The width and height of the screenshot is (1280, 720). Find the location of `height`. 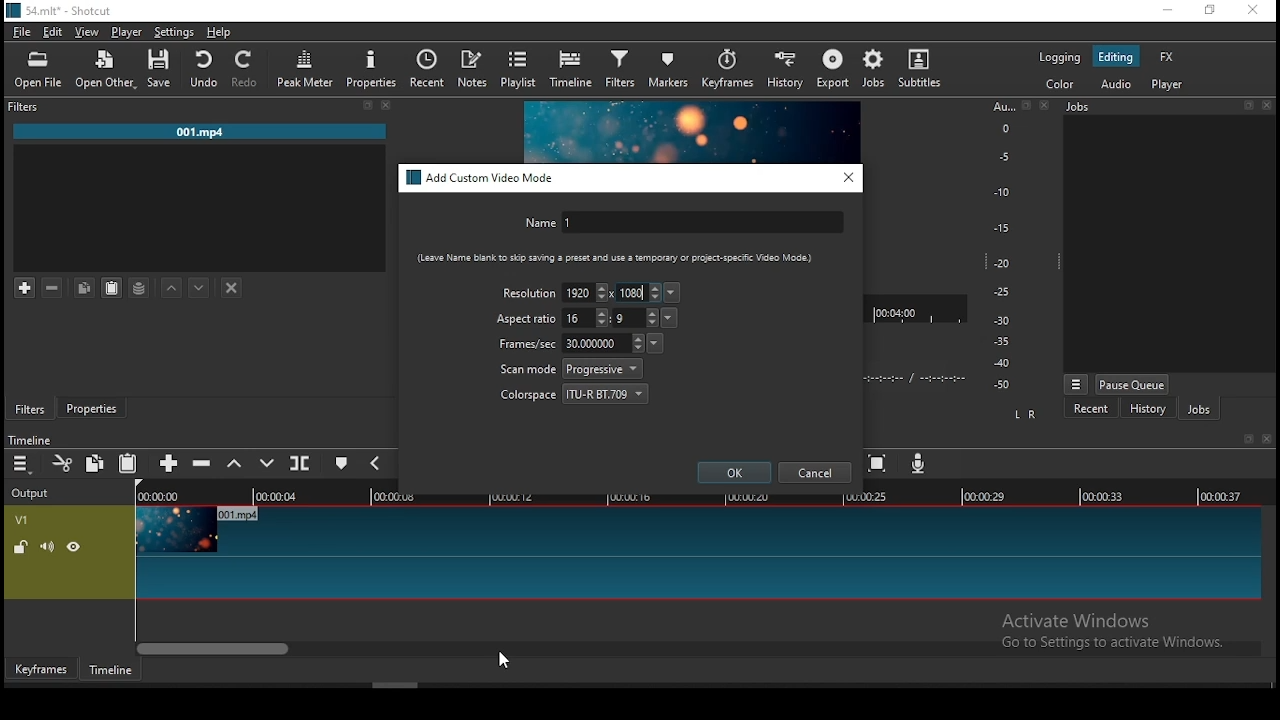

height is located at coordinates (635, 317).